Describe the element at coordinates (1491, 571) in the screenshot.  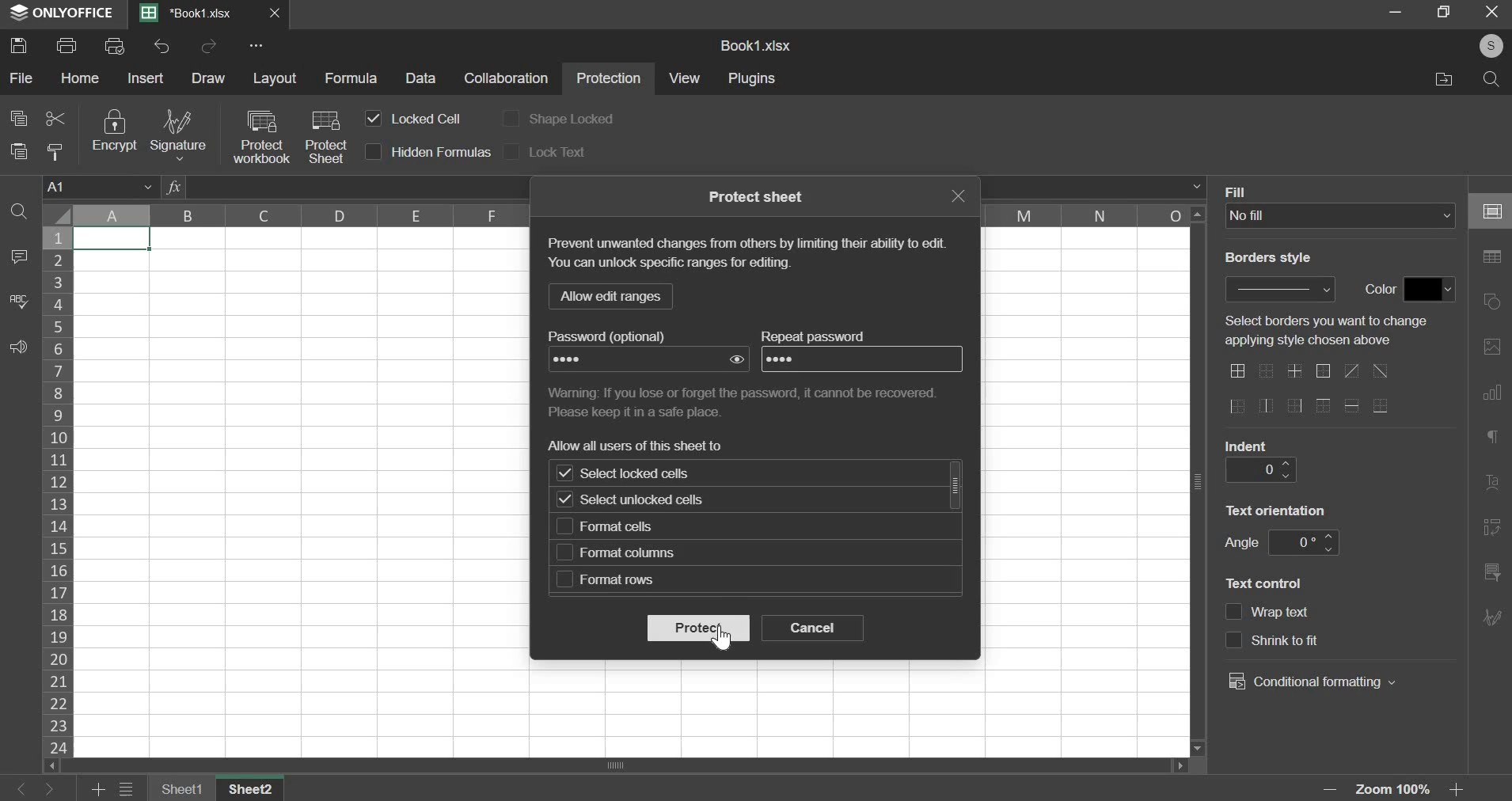
I see `right side bar` at that location.